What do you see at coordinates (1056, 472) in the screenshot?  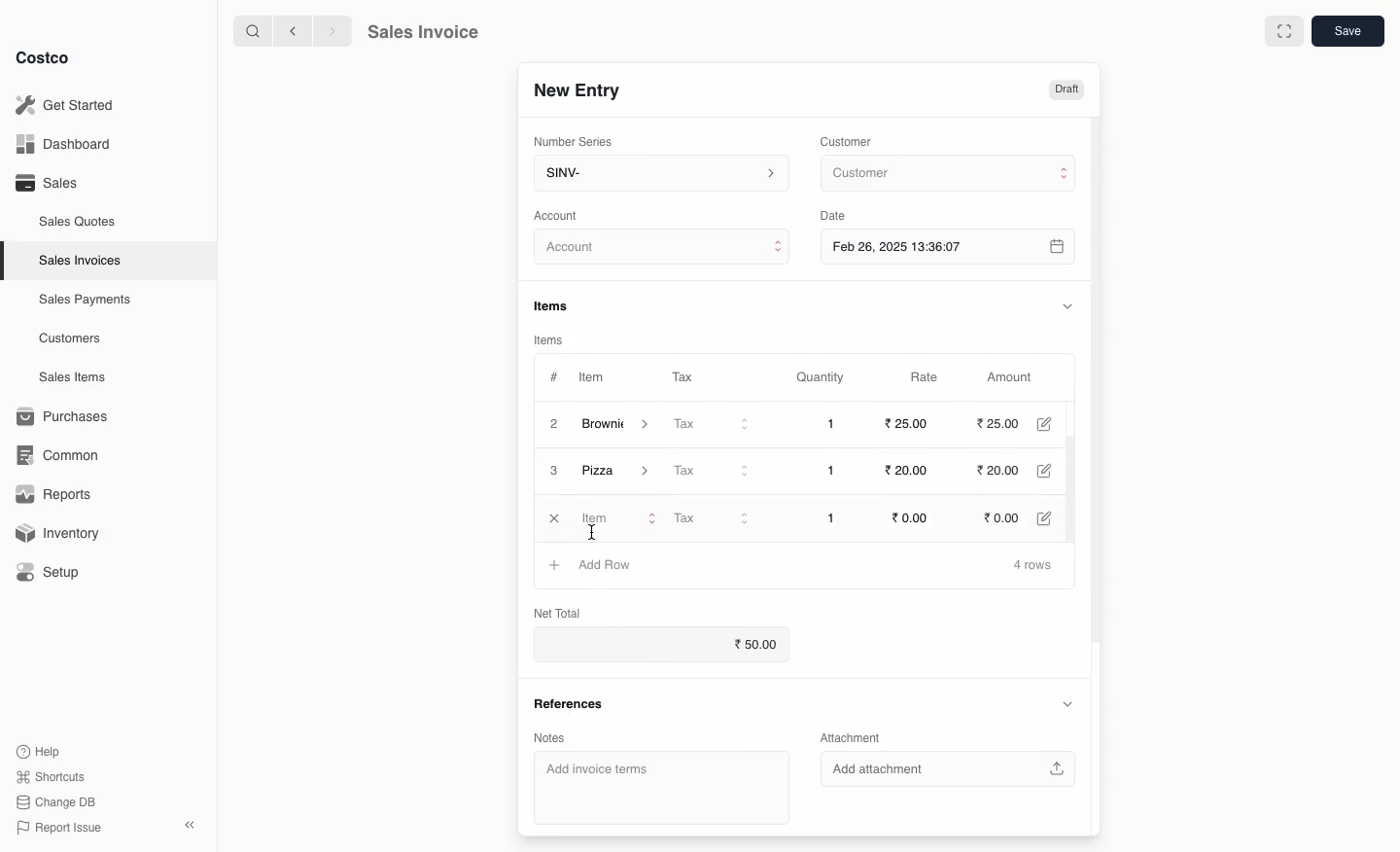 I see `Edit` at bounding box center [1056, 472].